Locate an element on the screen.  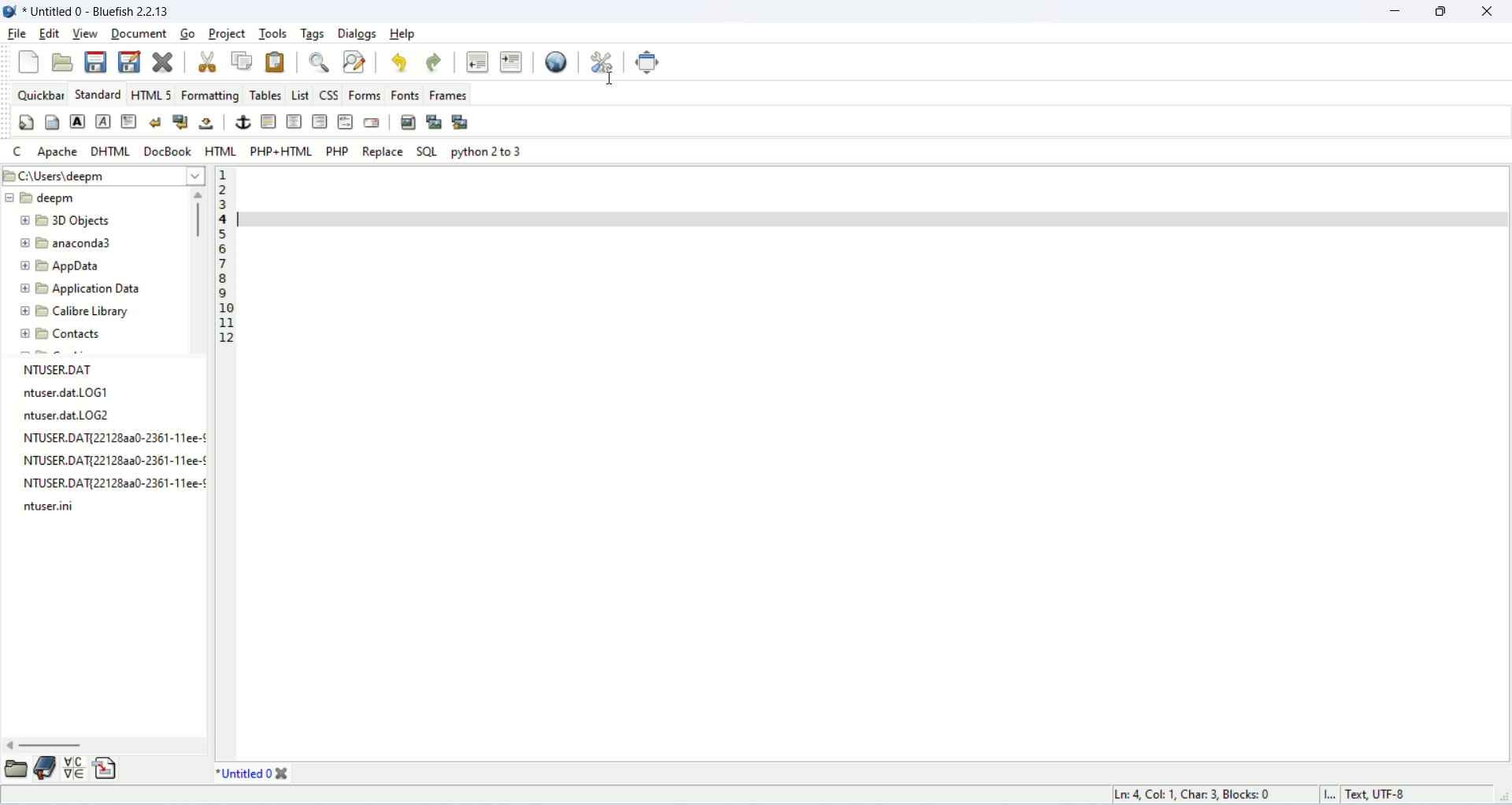
application data is located at coordinates (78, 290).